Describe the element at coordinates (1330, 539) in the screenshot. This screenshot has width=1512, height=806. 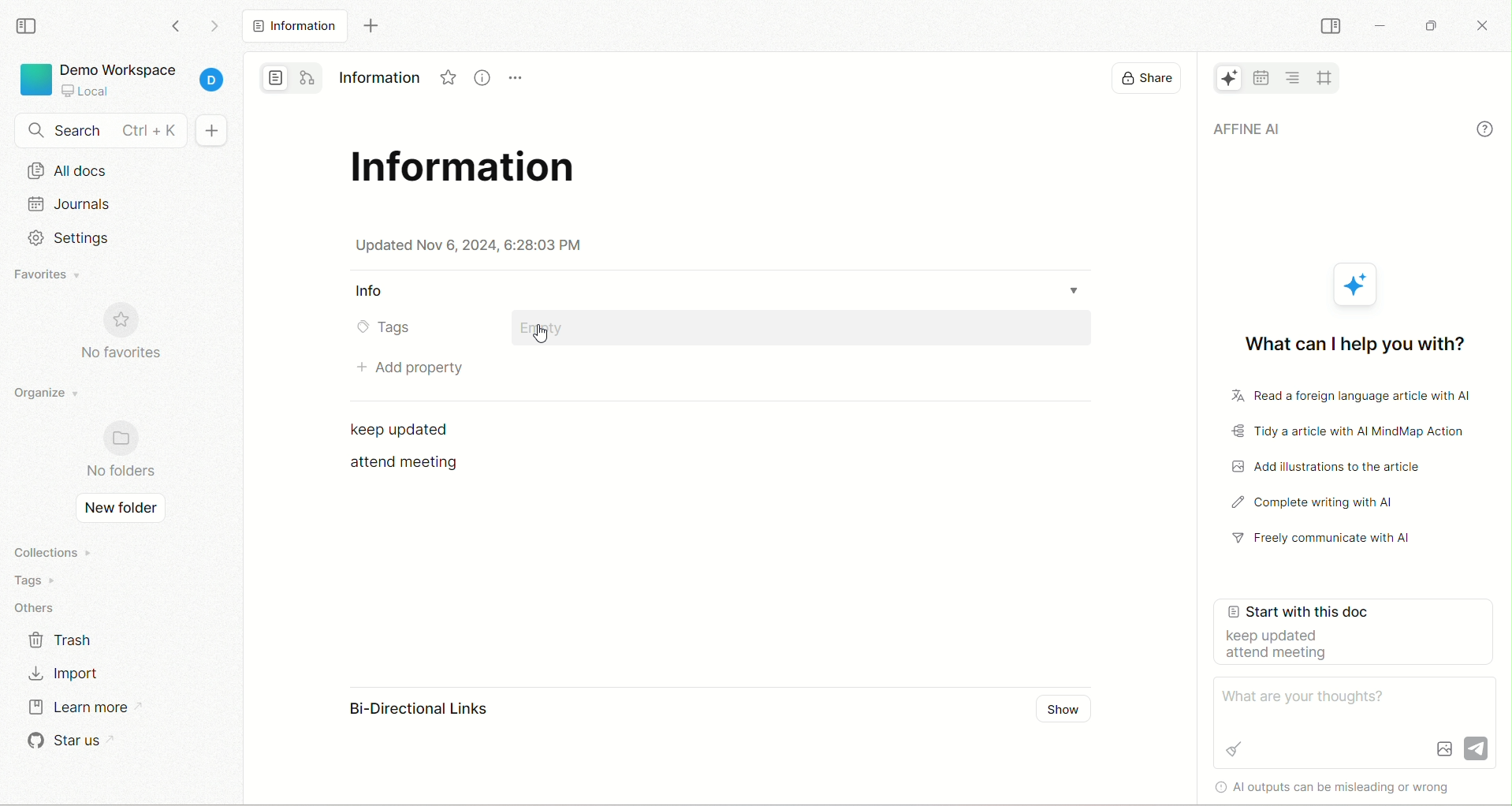
I see `freely communicate with AI` at that location.